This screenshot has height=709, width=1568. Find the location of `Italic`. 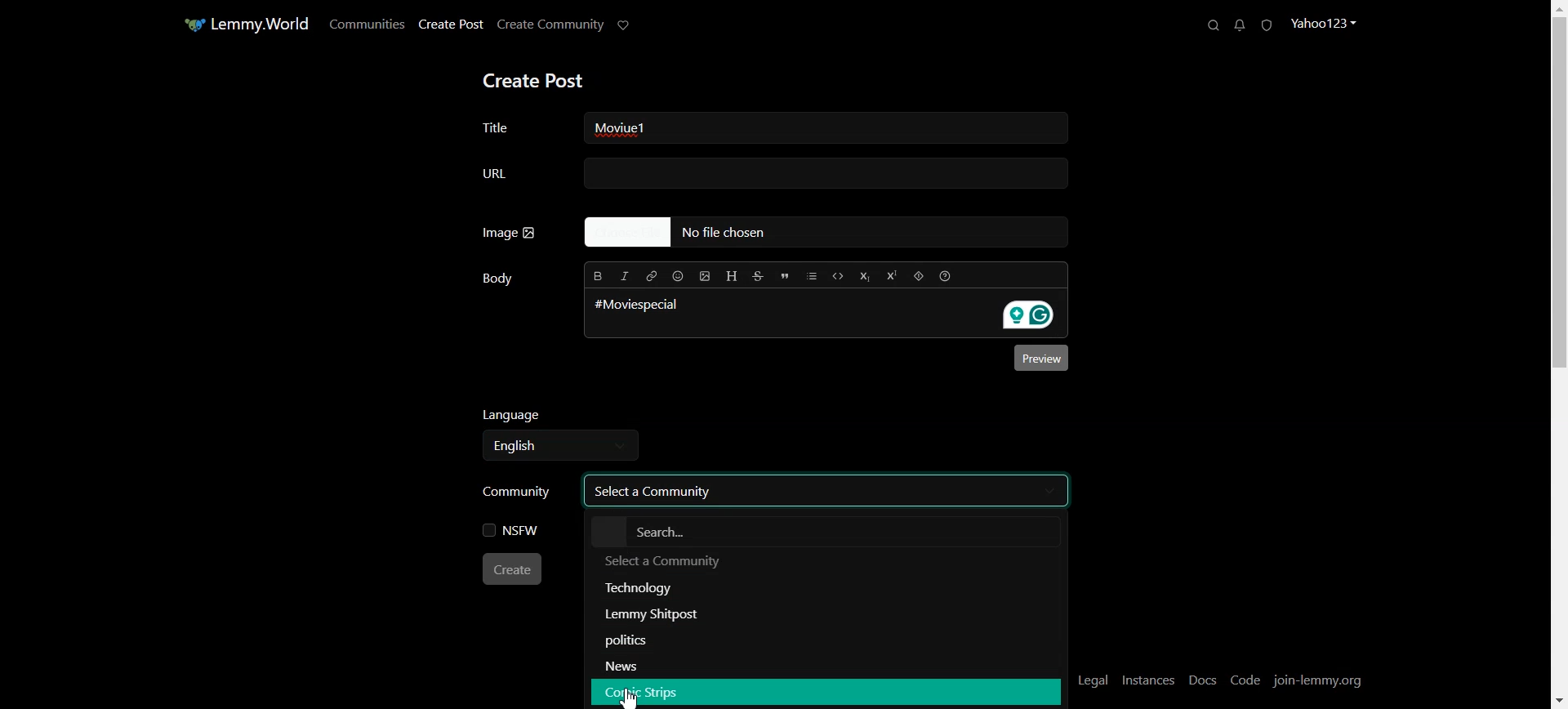

Italic is located at coordinates (621, 276).